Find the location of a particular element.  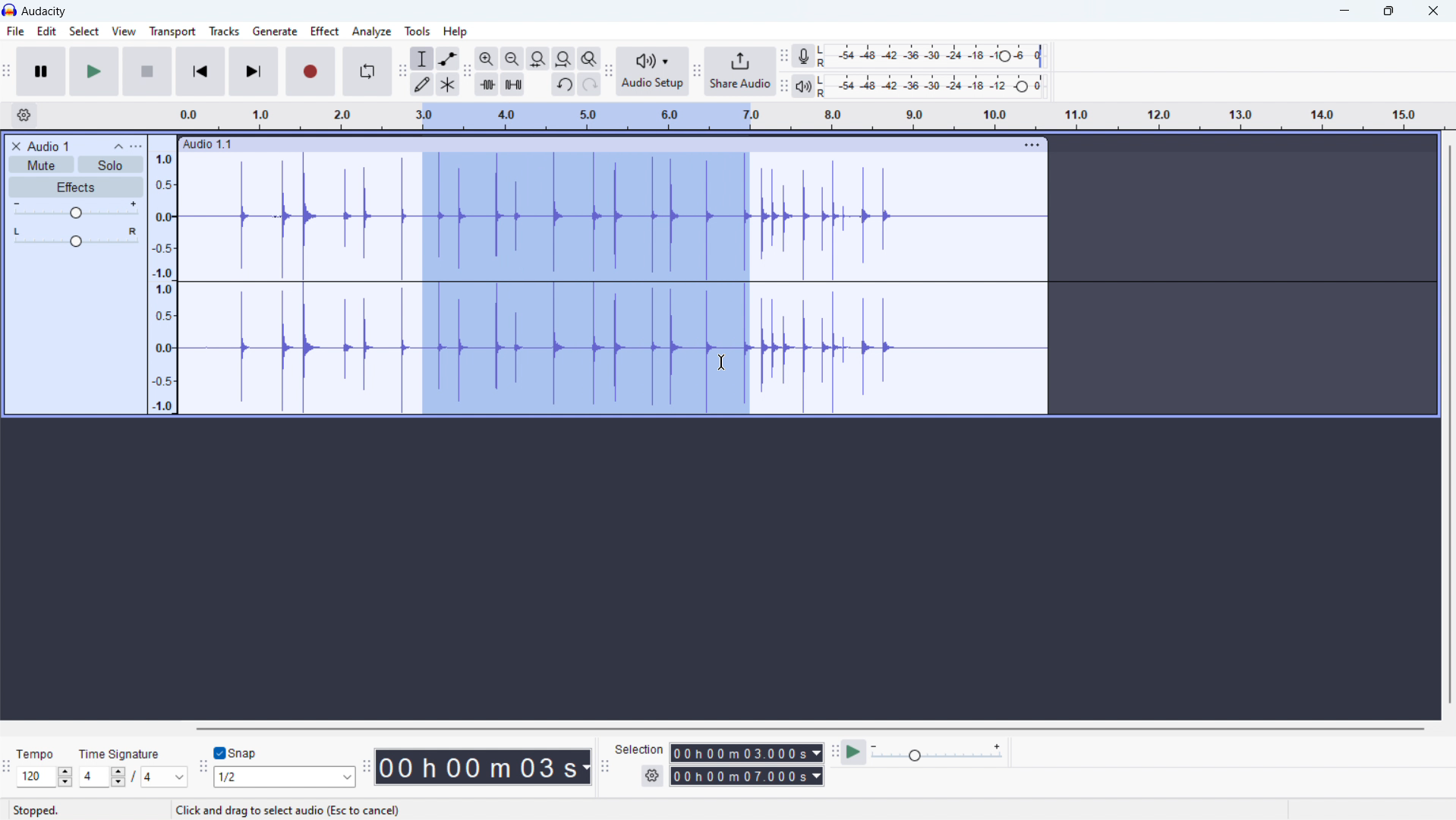

edit toolbar is located at coordinates (468, 72).